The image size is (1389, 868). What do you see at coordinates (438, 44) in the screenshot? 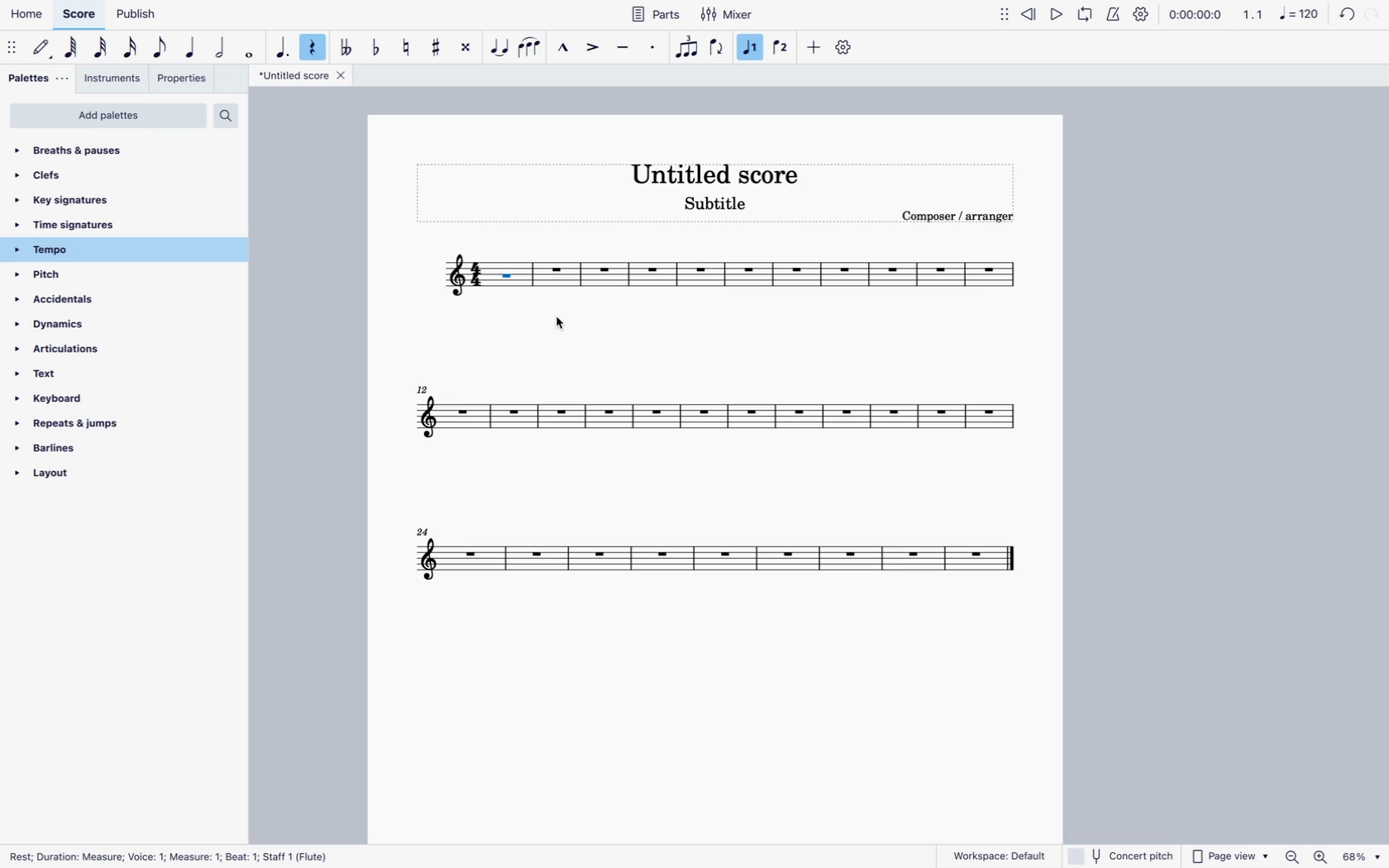
I see `toggle sharp` at bounding box center [438, 44].